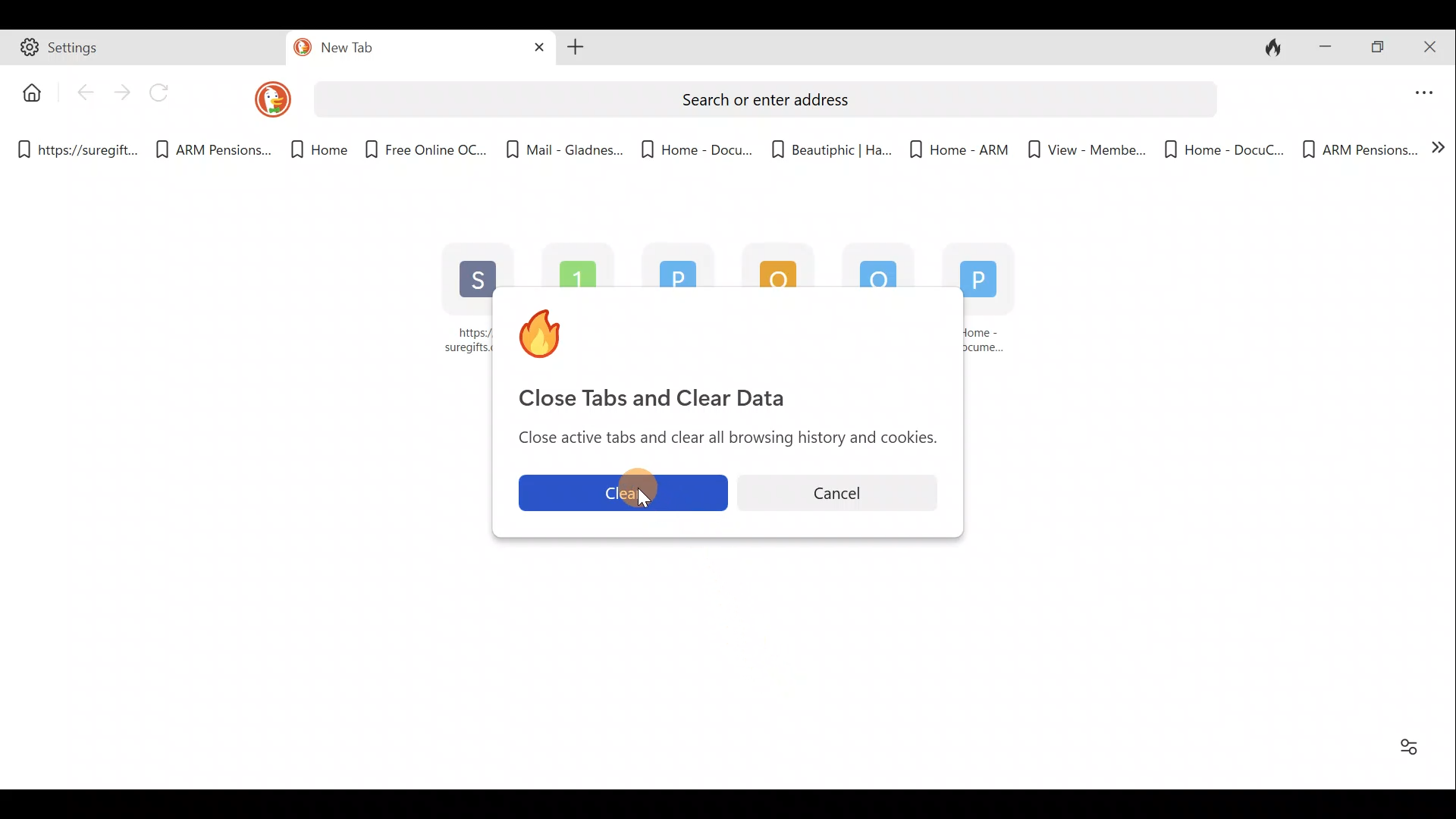  What do you see at coordinates (670, 268) in the screenshot?
I see `Home` at bounding box center [670, 268].